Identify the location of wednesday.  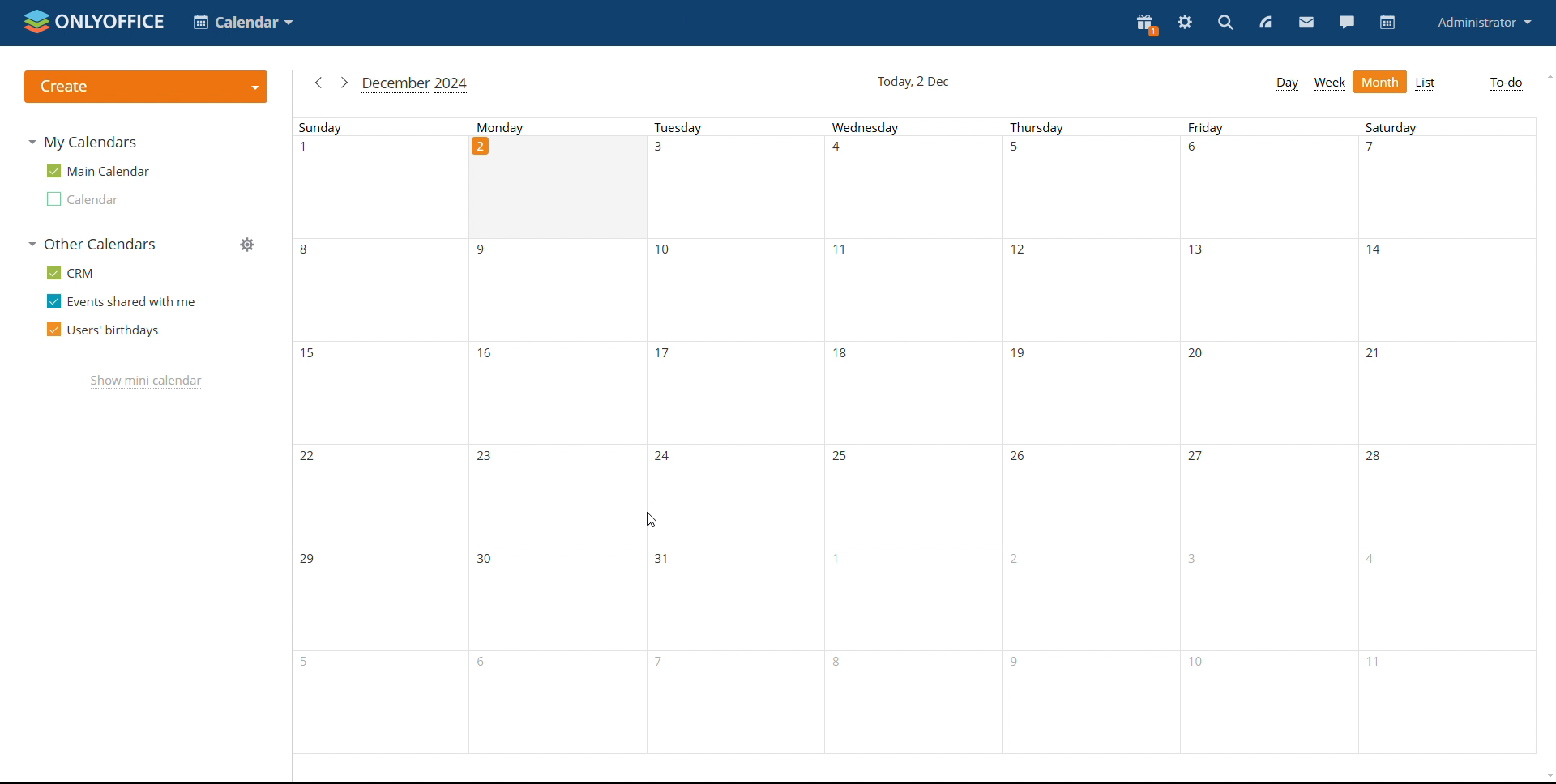
(909, 436).